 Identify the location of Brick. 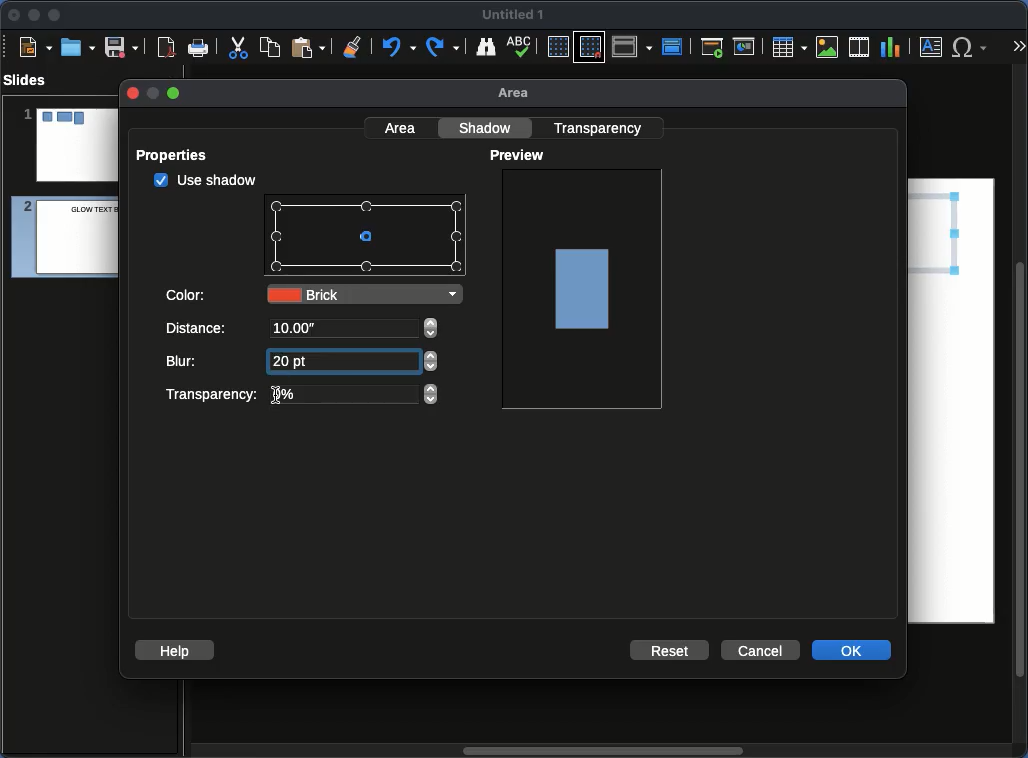
(364, 294).